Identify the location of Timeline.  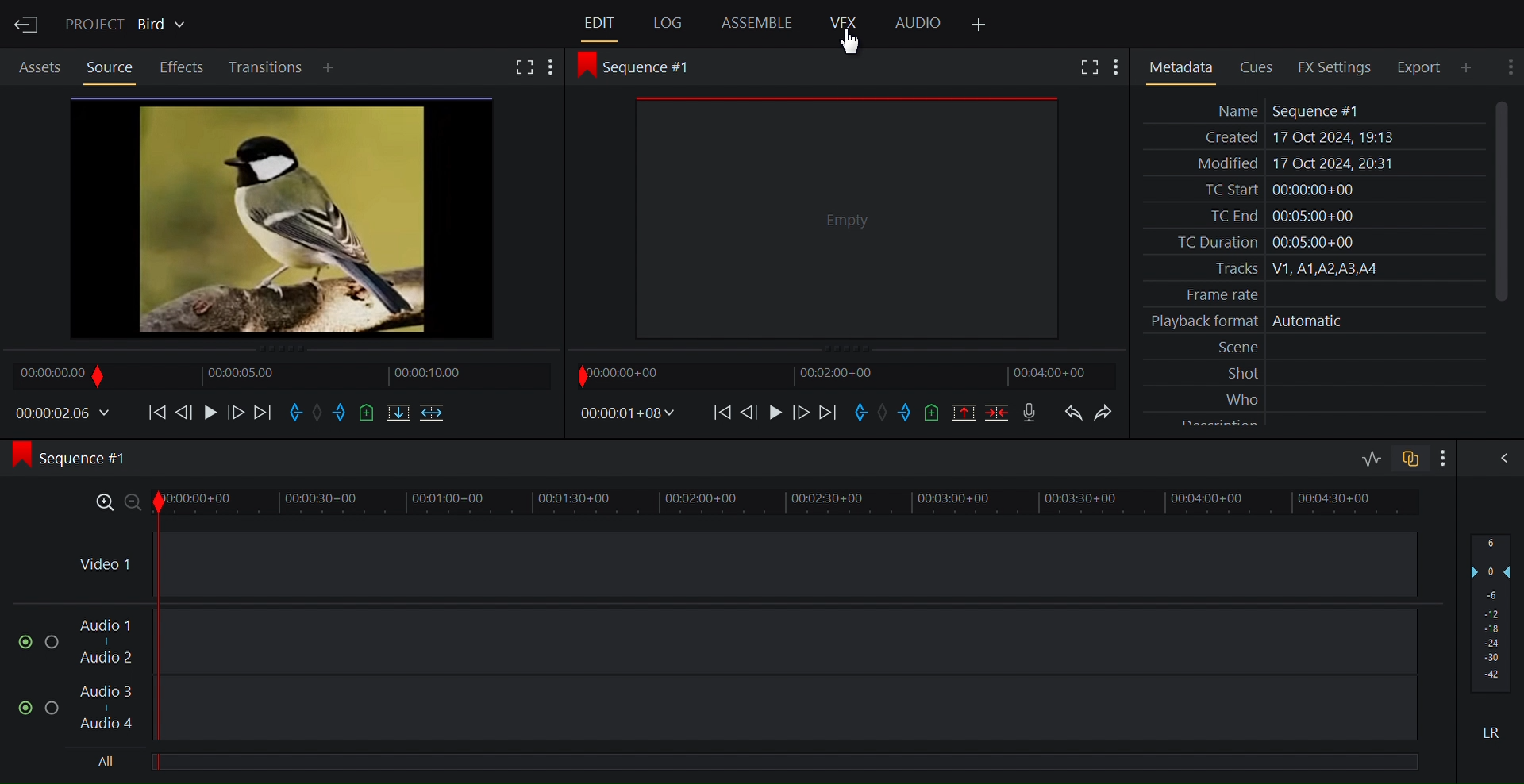
(275, 374).